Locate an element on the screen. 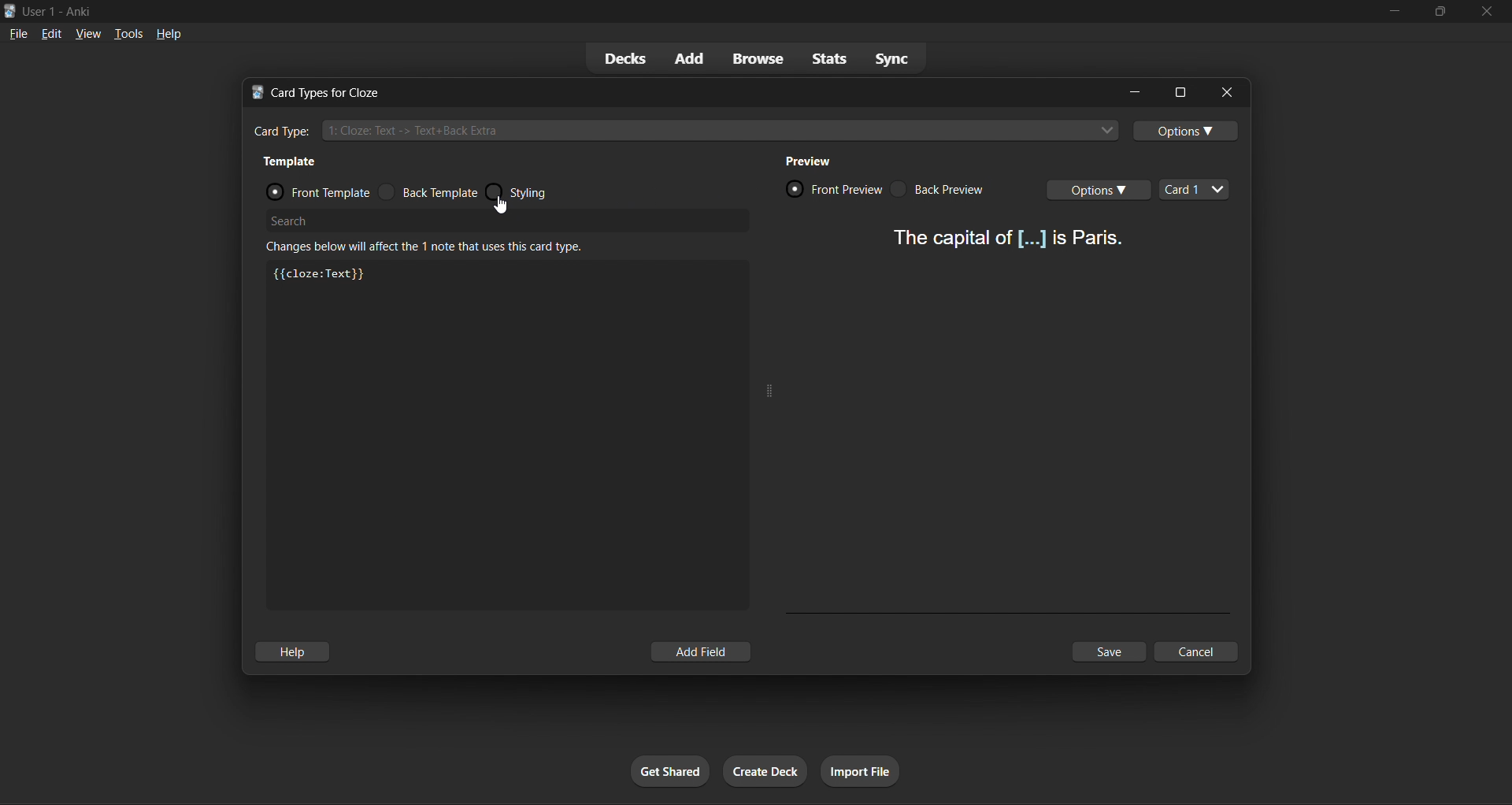  save is located at coordinates (1112, 653).